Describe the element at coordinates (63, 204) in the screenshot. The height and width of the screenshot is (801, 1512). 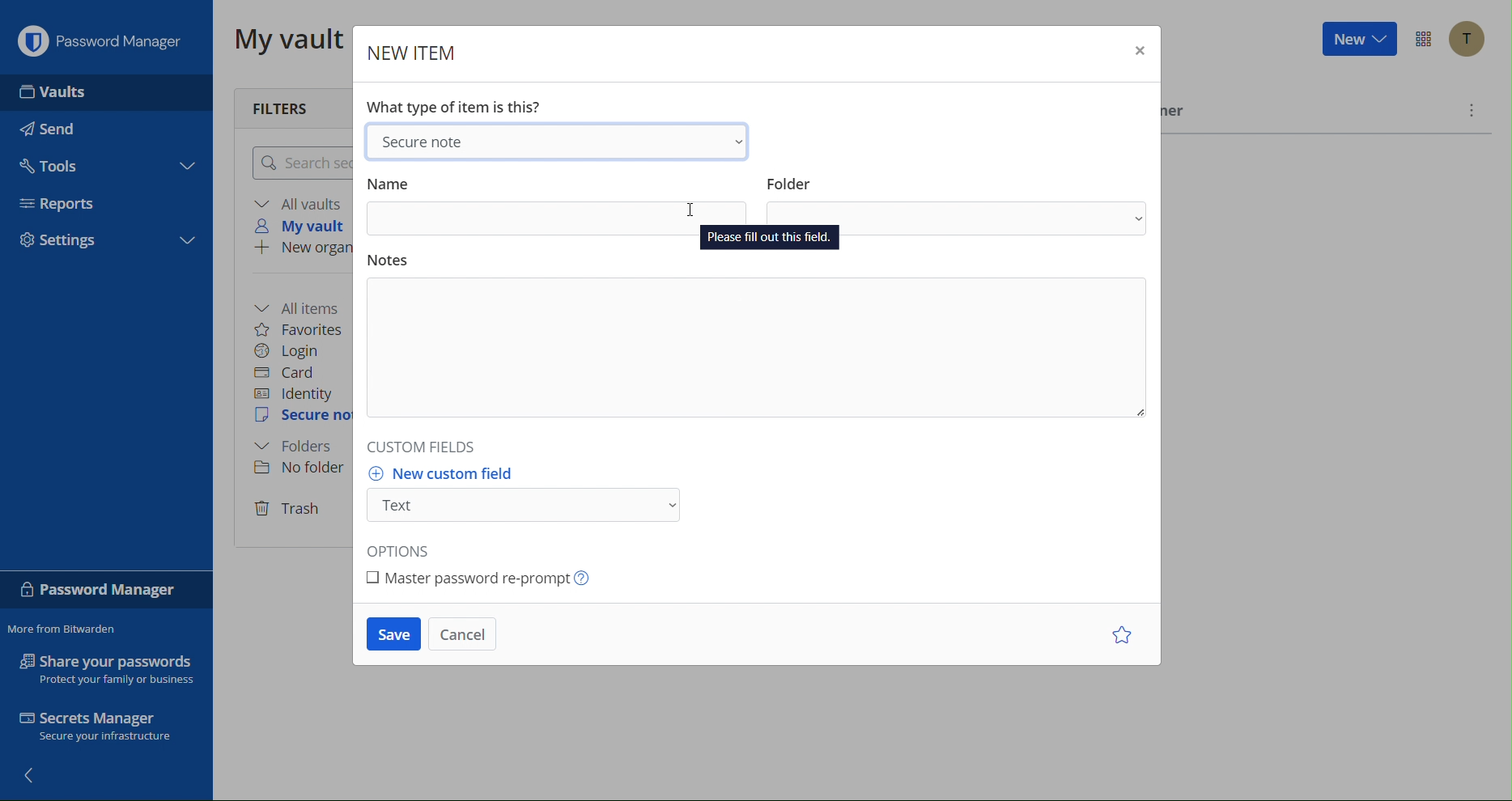
I see `Reports` at that location.